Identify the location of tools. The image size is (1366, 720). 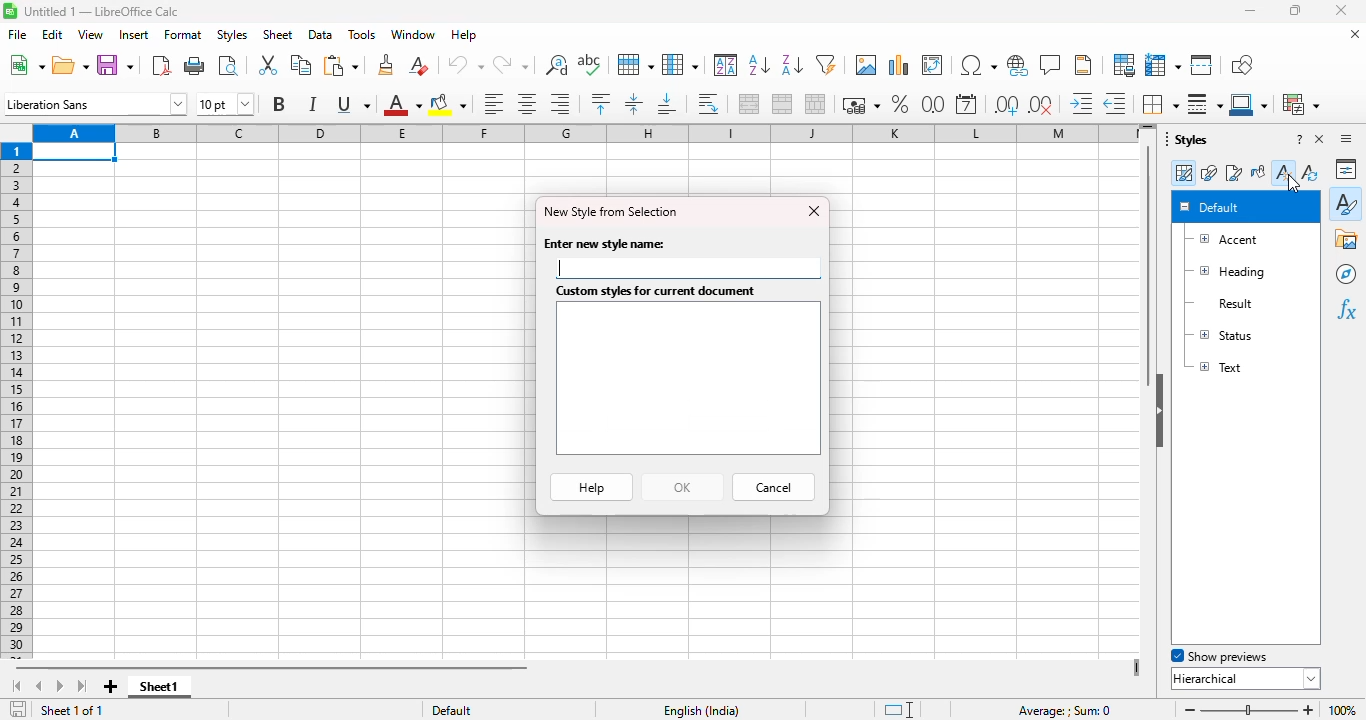
(362, 35).